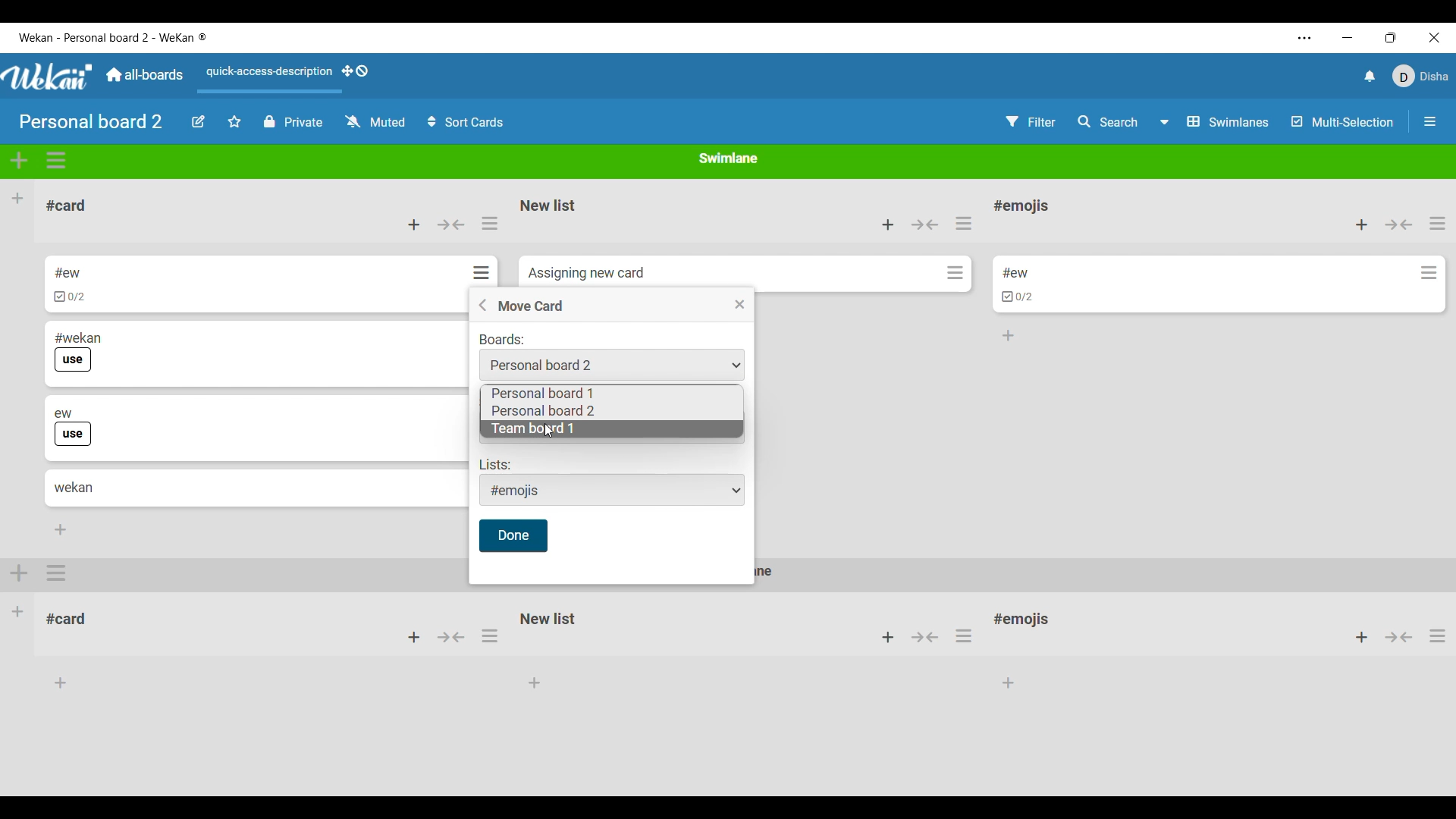 The width and height of the screenshot is (1456, 819). Describe the element at coordinates (265, 78) in the screenshot. I see `Quick access description` at that location.